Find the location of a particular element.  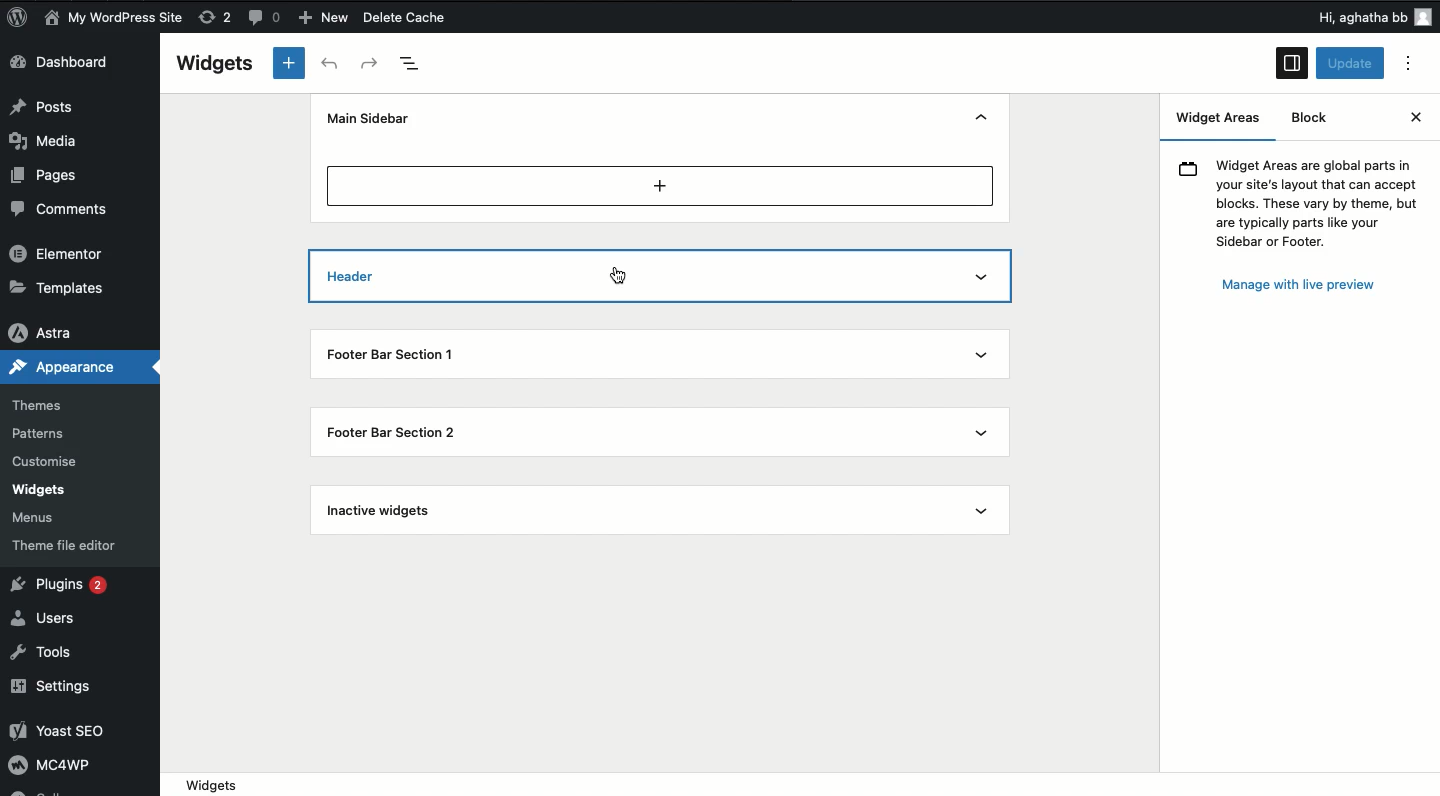

Document overview is located at coordinates (418, 63).